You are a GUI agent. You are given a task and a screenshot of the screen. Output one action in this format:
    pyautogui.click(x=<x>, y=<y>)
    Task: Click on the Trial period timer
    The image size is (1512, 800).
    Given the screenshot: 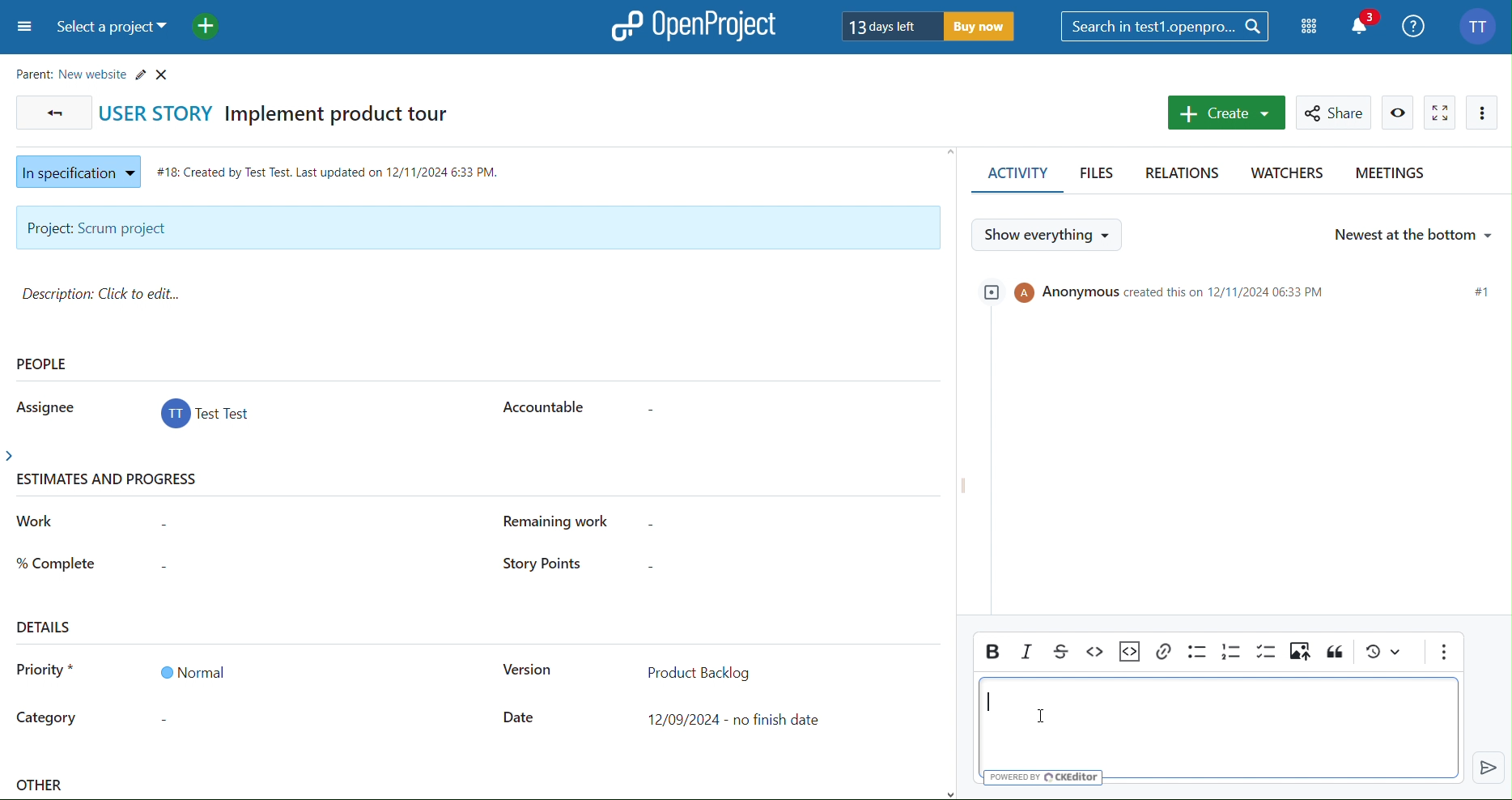 What is the action you would take?
    pyautogui.click(x=929, y=25)
    